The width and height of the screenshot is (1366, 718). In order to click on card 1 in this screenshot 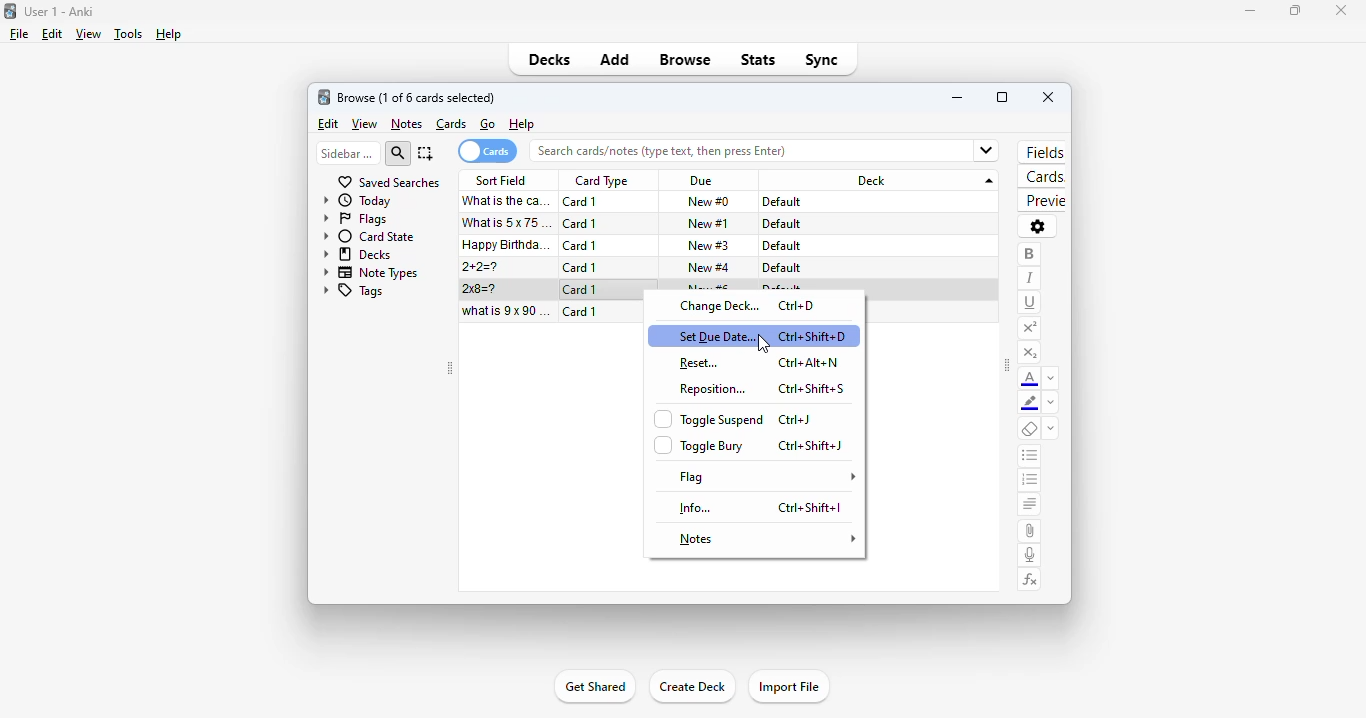, I will do `click(581, 202)`.